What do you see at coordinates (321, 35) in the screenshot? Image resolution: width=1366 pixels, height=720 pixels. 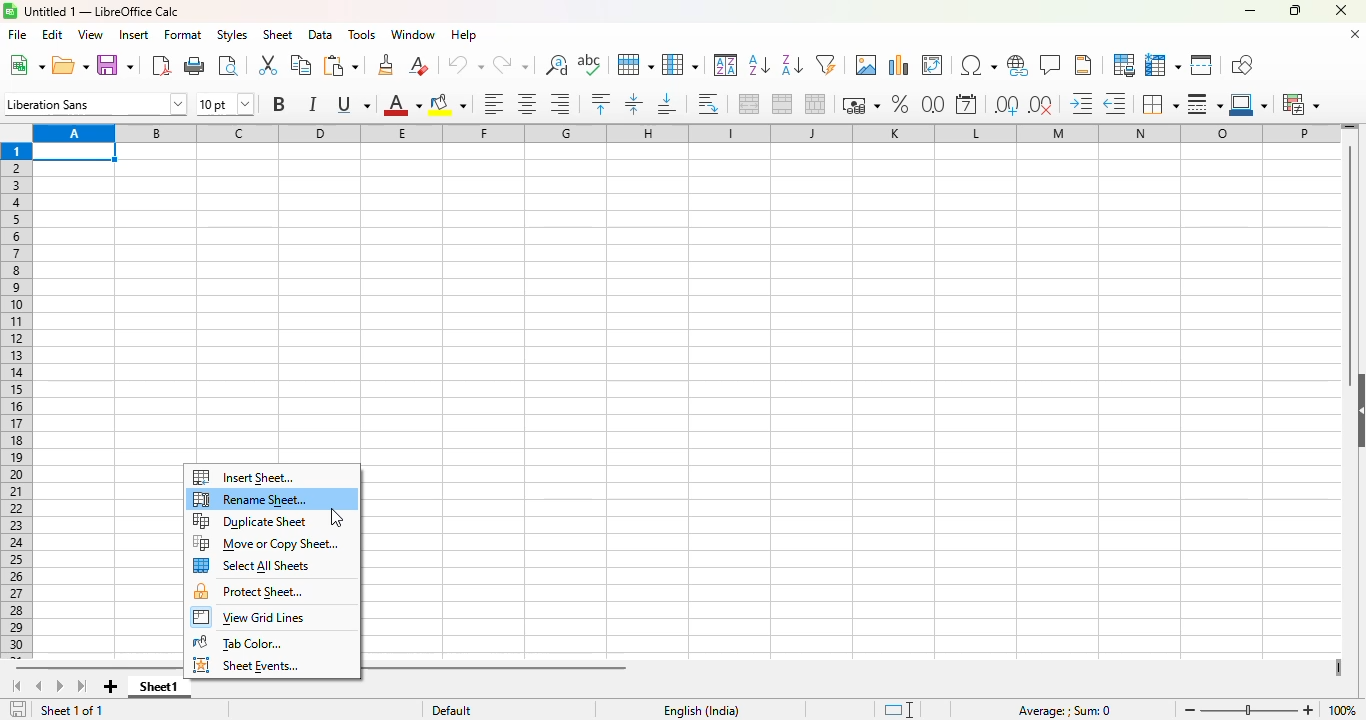 I see `data` at bounding box center [321, 35].